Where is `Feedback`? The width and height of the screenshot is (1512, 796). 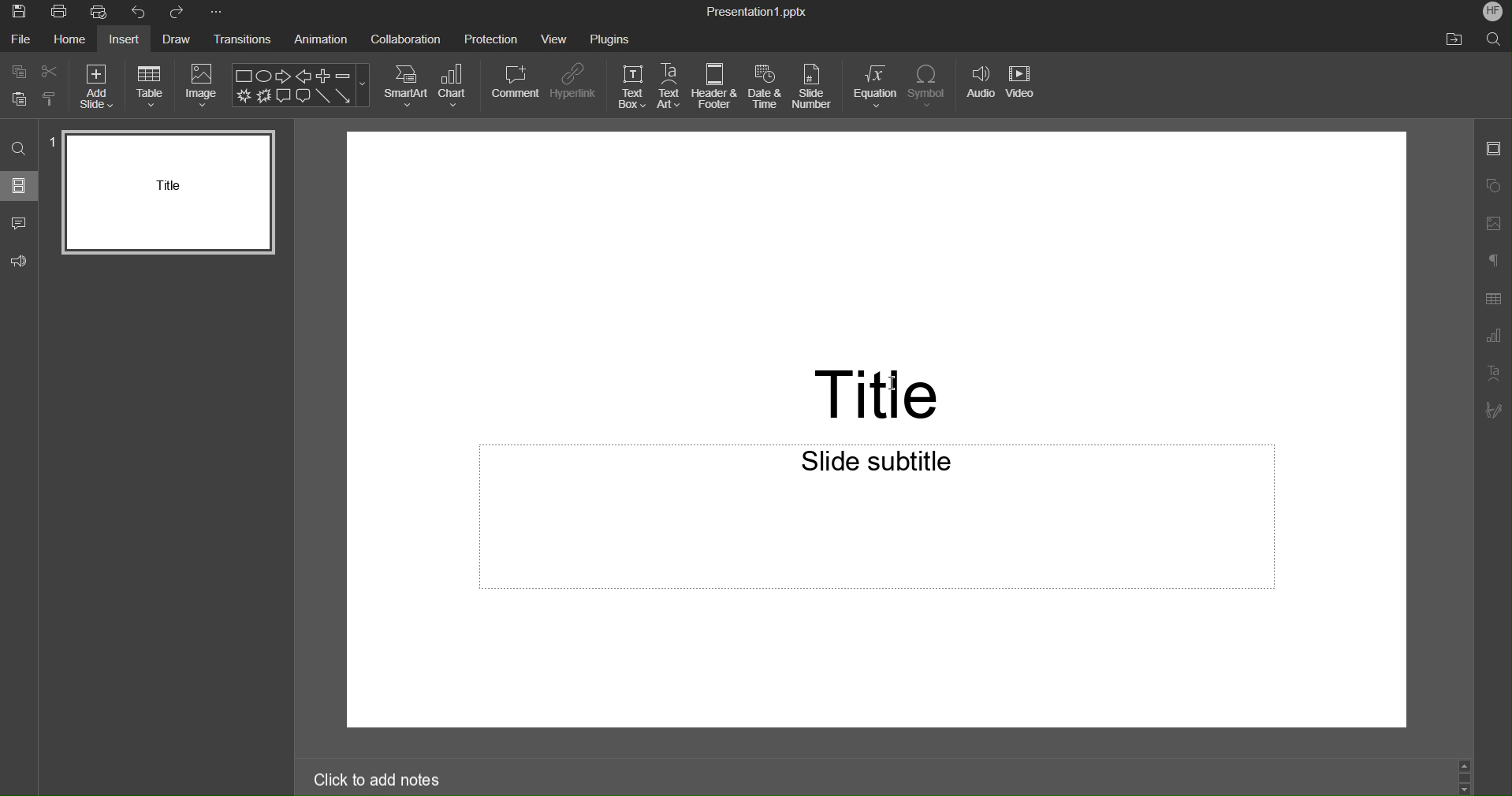
Feedback is located at coordinates (22, 261).